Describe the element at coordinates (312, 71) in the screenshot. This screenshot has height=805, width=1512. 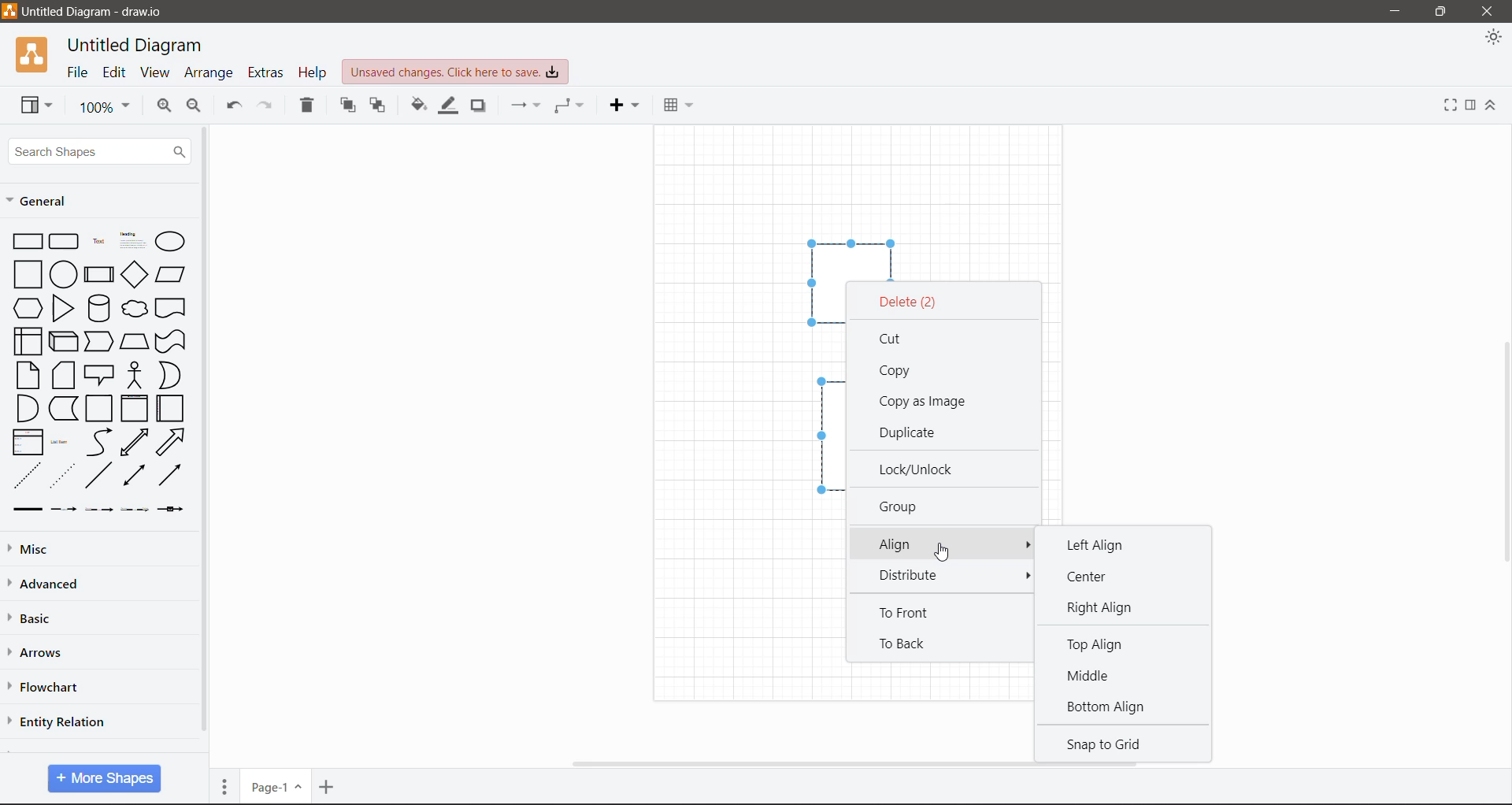
I see `Help` at that location.